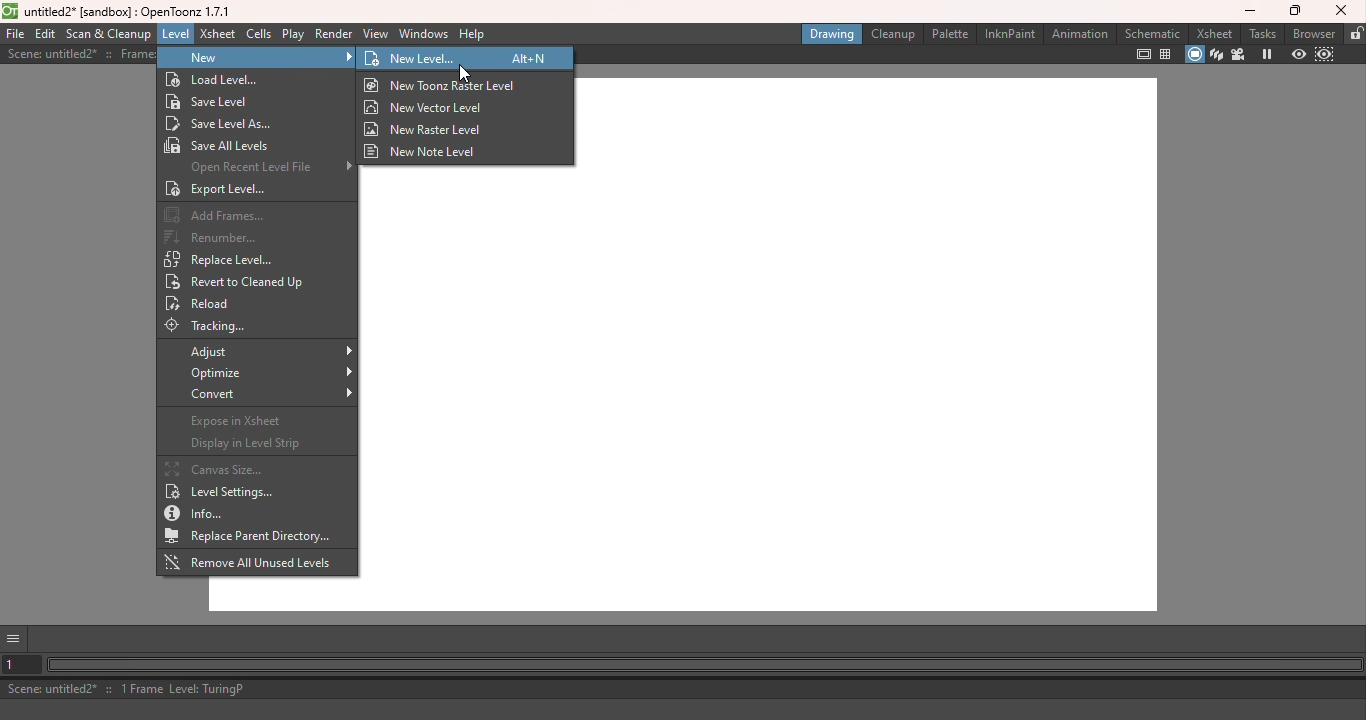  I want to click on Horizontal scroll bar, so click(705, 666).